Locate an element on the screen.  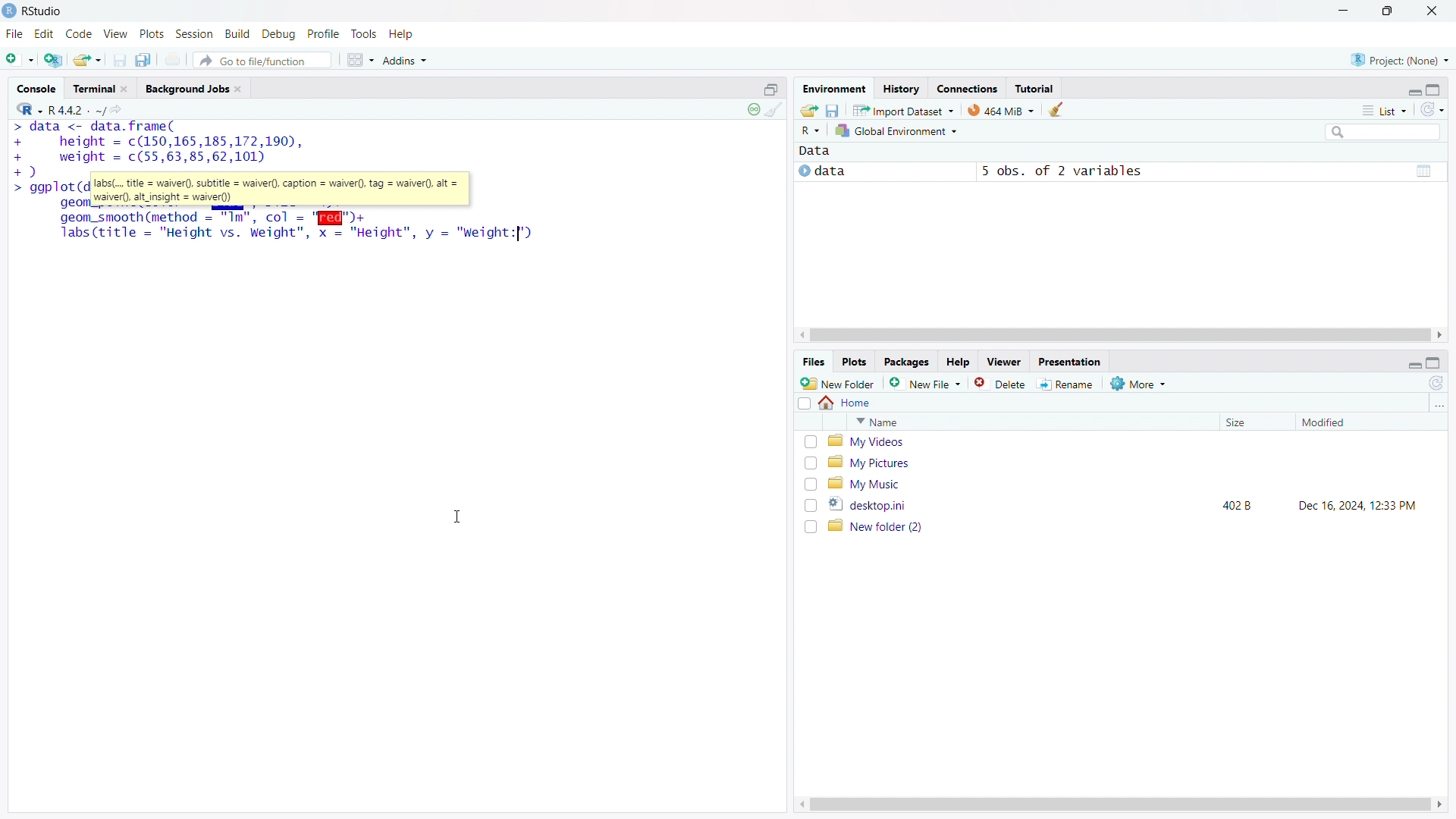
package is located at coordinates (906, 362).